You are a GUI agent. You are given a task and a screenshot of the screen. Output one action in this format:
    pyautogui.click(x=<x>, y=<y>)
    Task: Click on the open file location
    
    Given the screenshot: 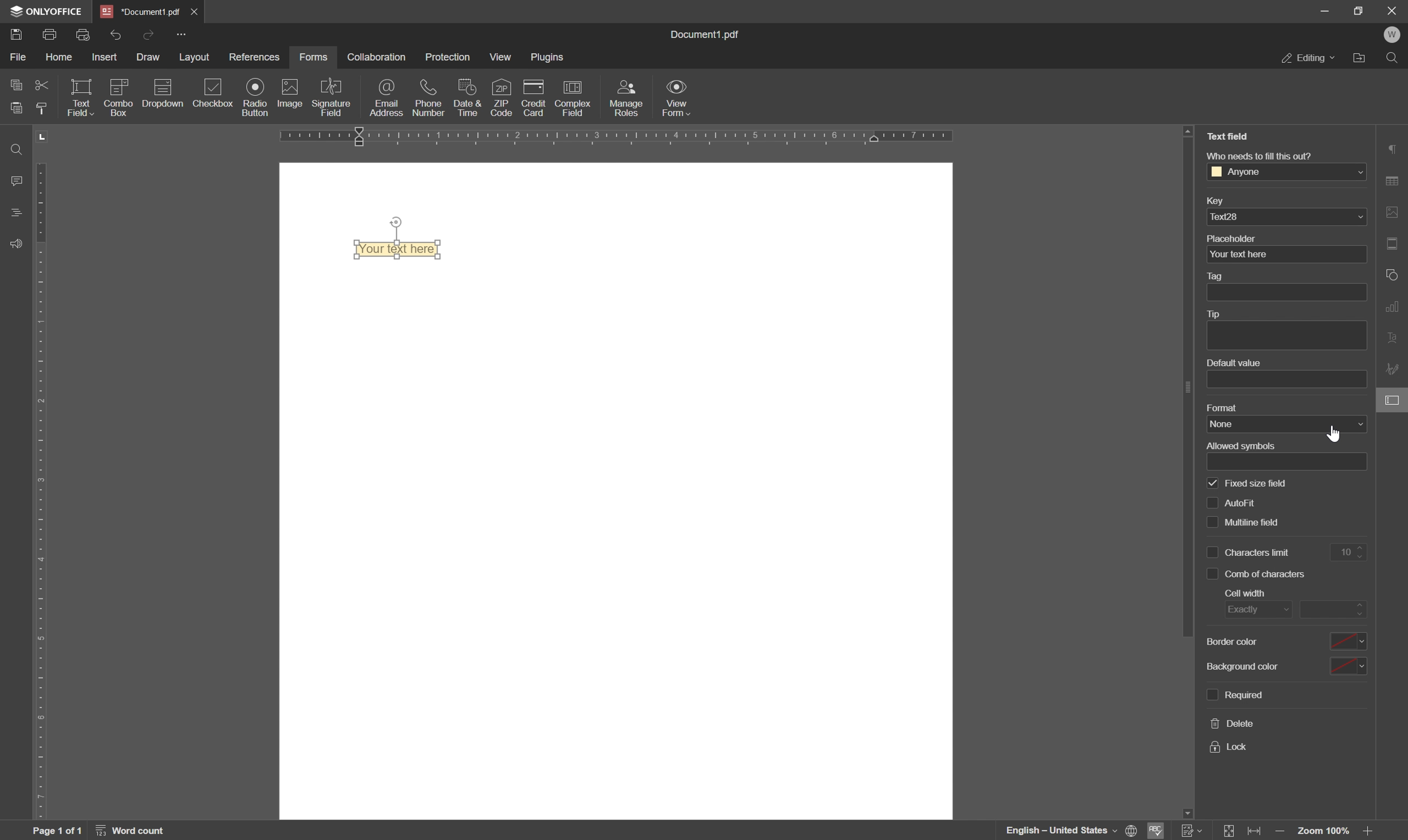 What is the action you would take?
    pyautogui.click(x=1359, y=58)
    